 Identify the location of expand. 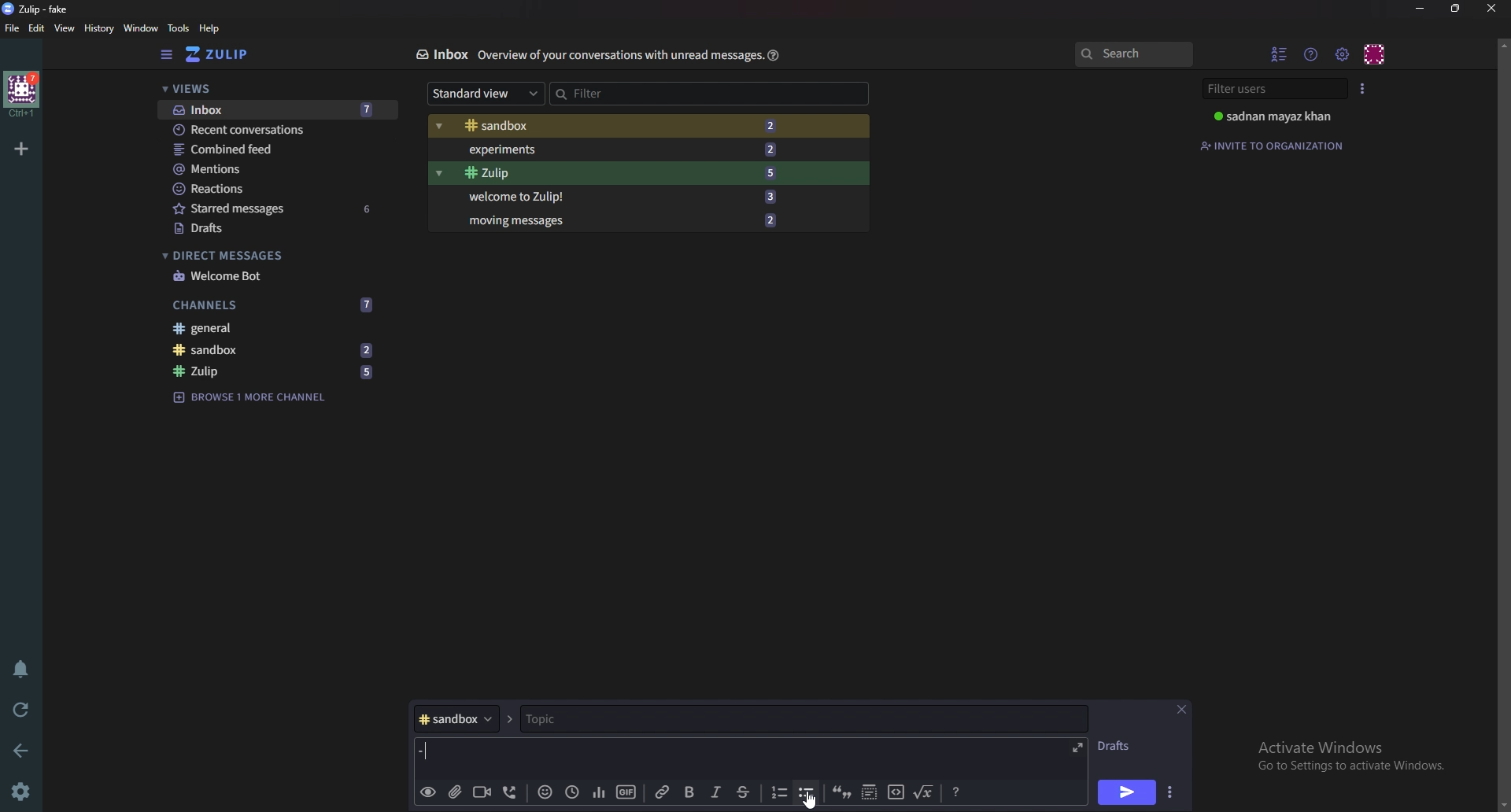
(1075, 747).